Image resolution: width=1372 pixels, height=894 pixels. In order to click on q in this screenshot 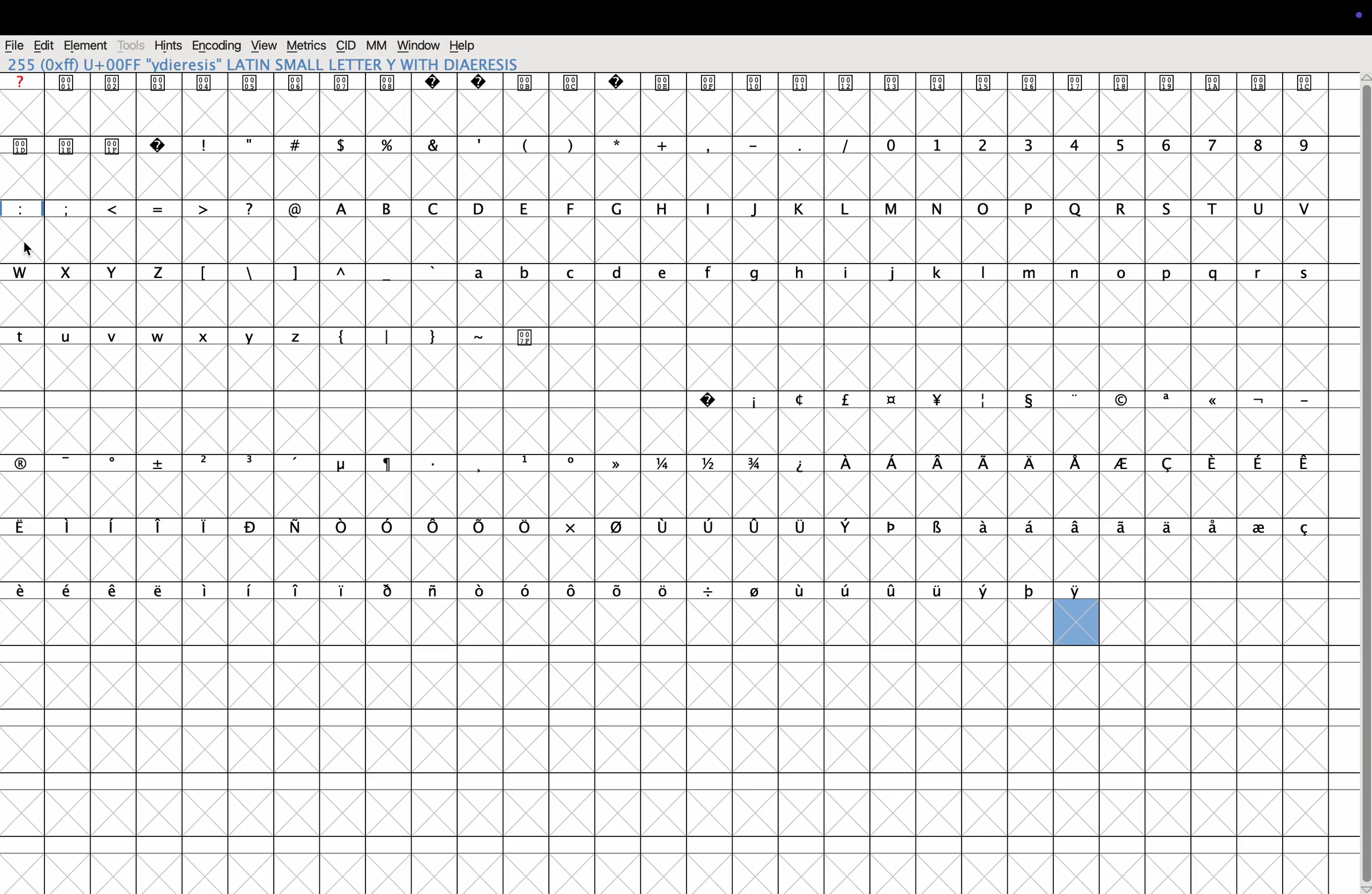, I will do `click(1215, 294)`.